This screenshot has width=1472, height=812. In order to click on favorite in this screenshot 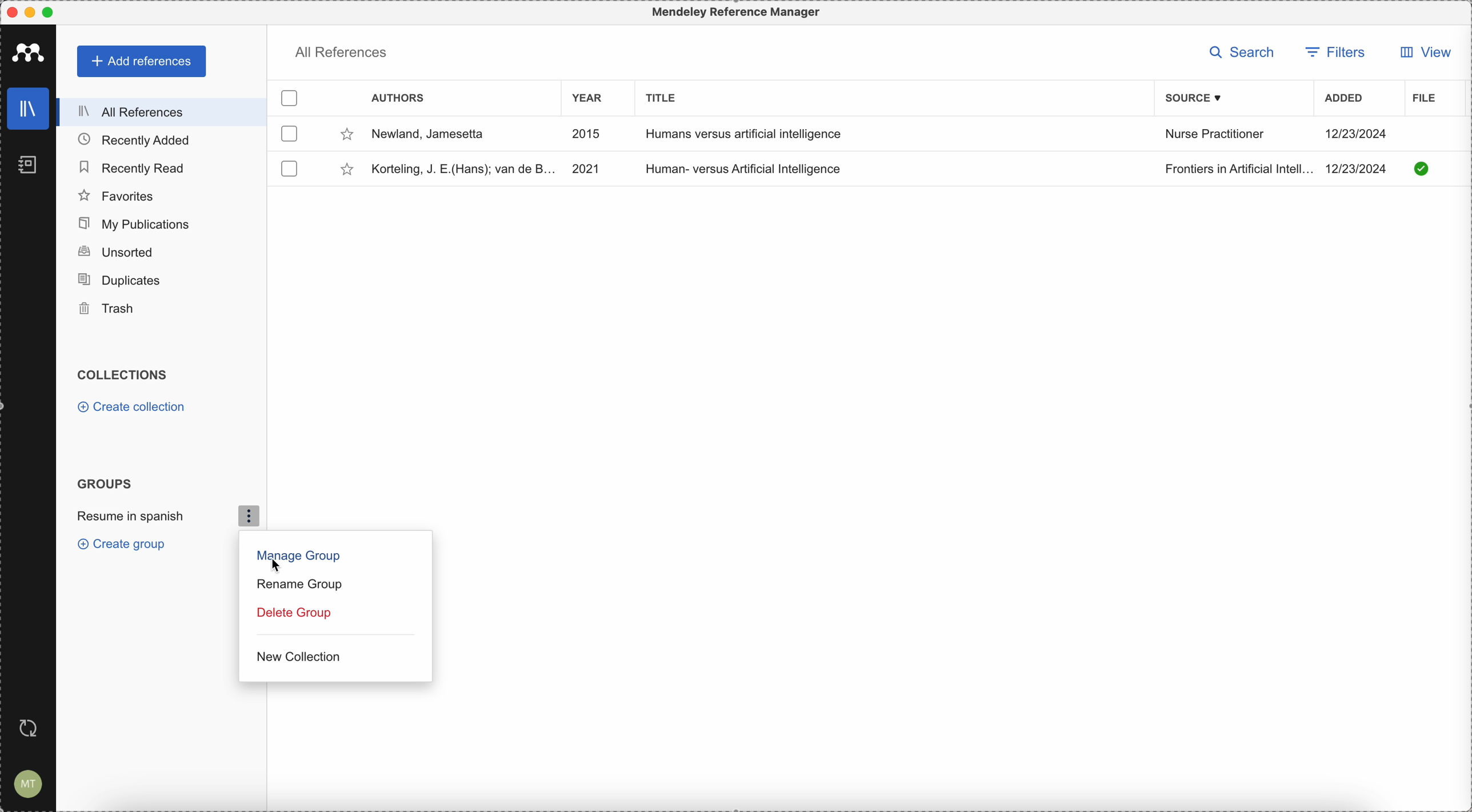, I will do `click(345, 135)`.